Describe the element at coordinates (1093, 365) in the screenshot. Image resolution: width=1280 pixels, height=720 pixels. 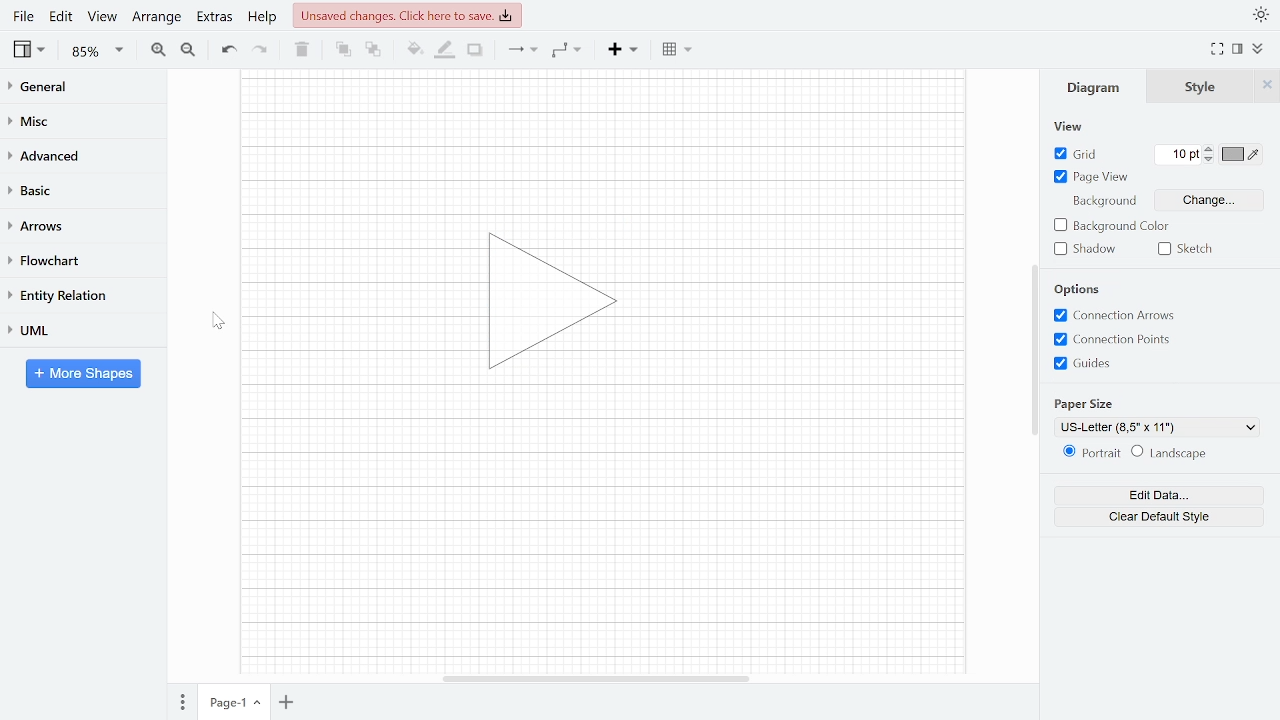
I see `Guides.` at that location.